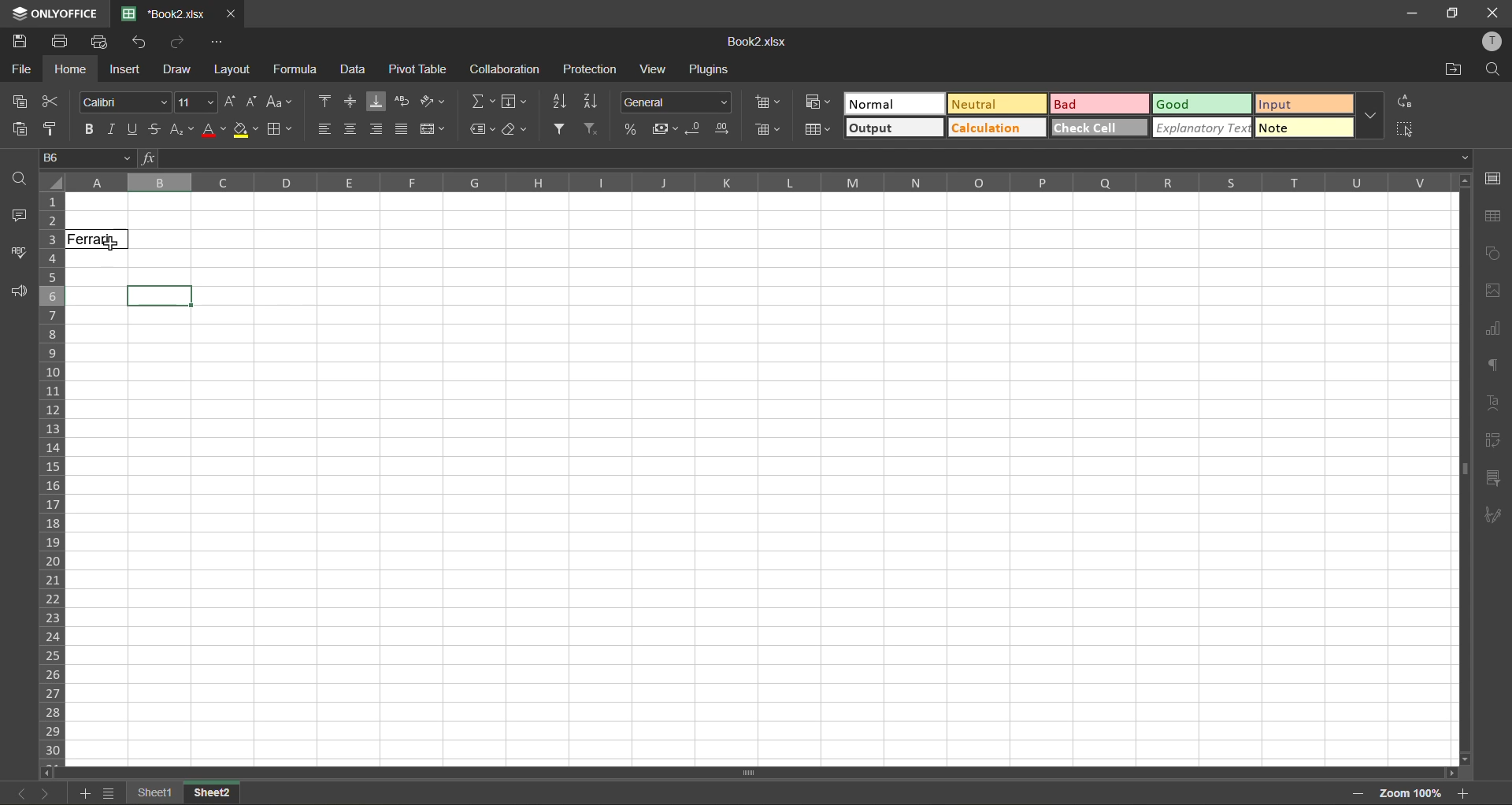 This screenshot has width=1512, height=805. I want to click on number format, so click(675, 101).